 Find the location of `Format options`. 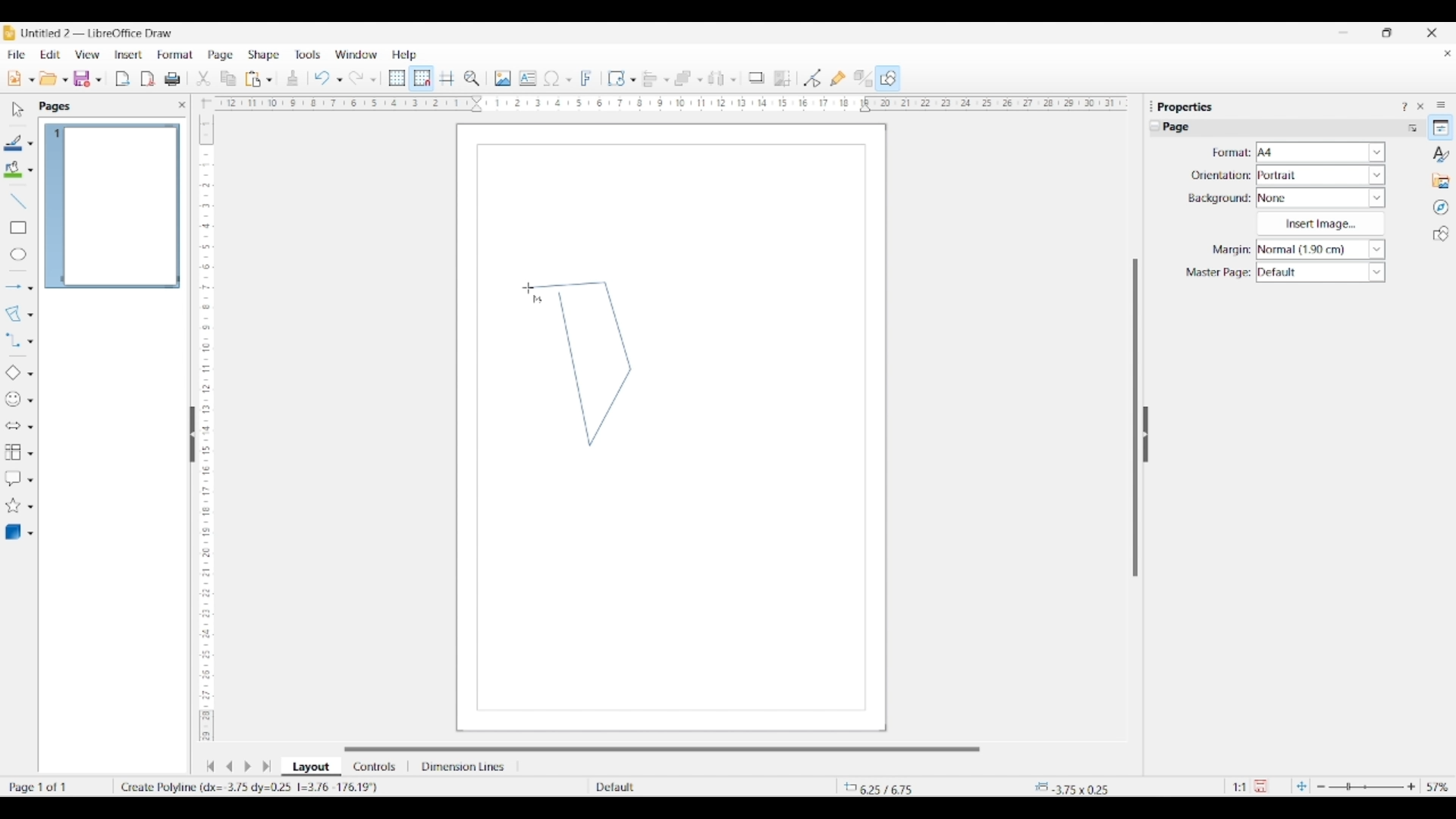

Format options is located at coordinates (1321, 152).